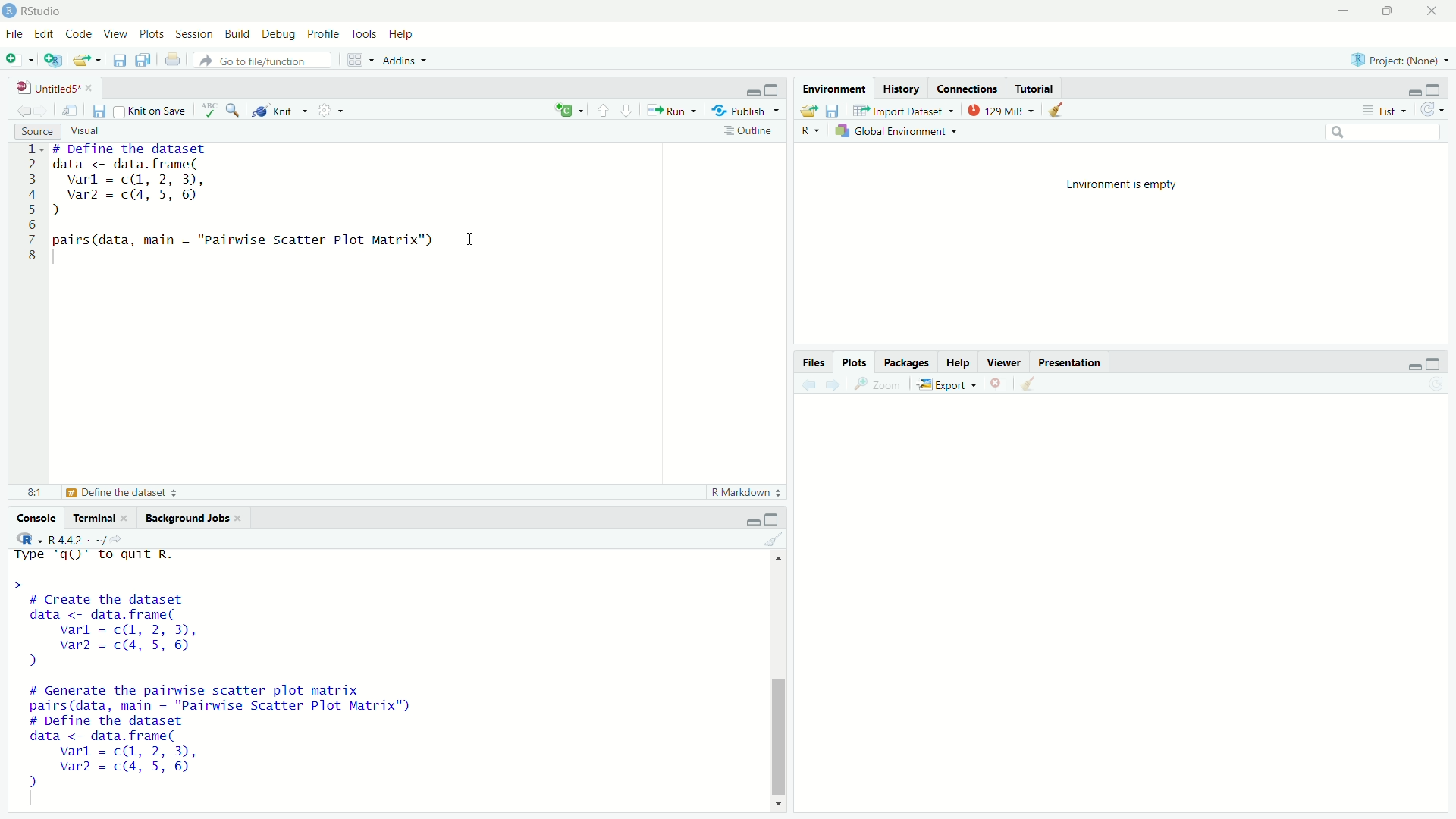  I want to click on Publish, so click(745, 109).